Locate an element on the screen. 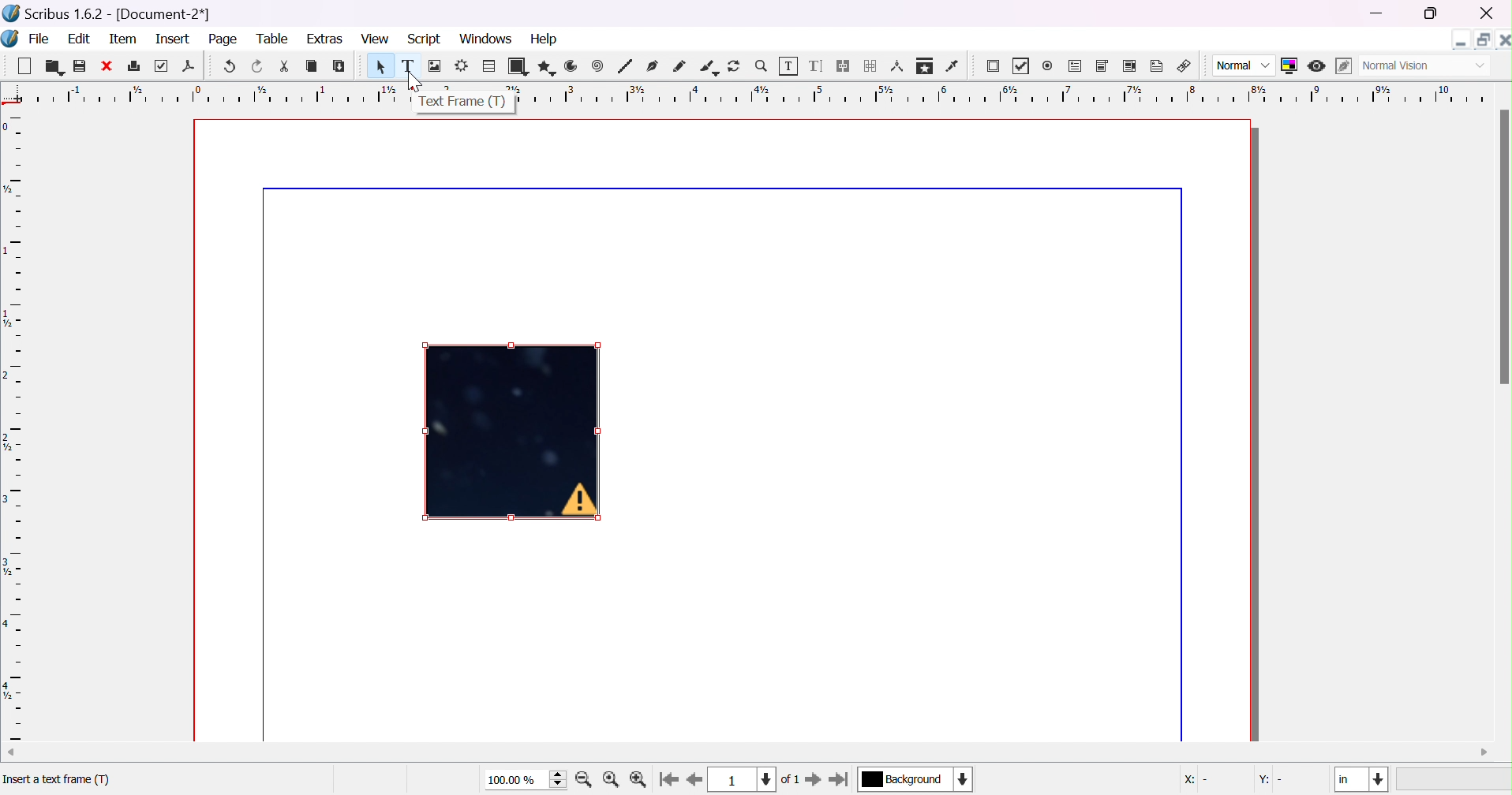 The height and width of the screenshot is (795, 1512). X: - Y: -  is located at coordinates (1238, 778).